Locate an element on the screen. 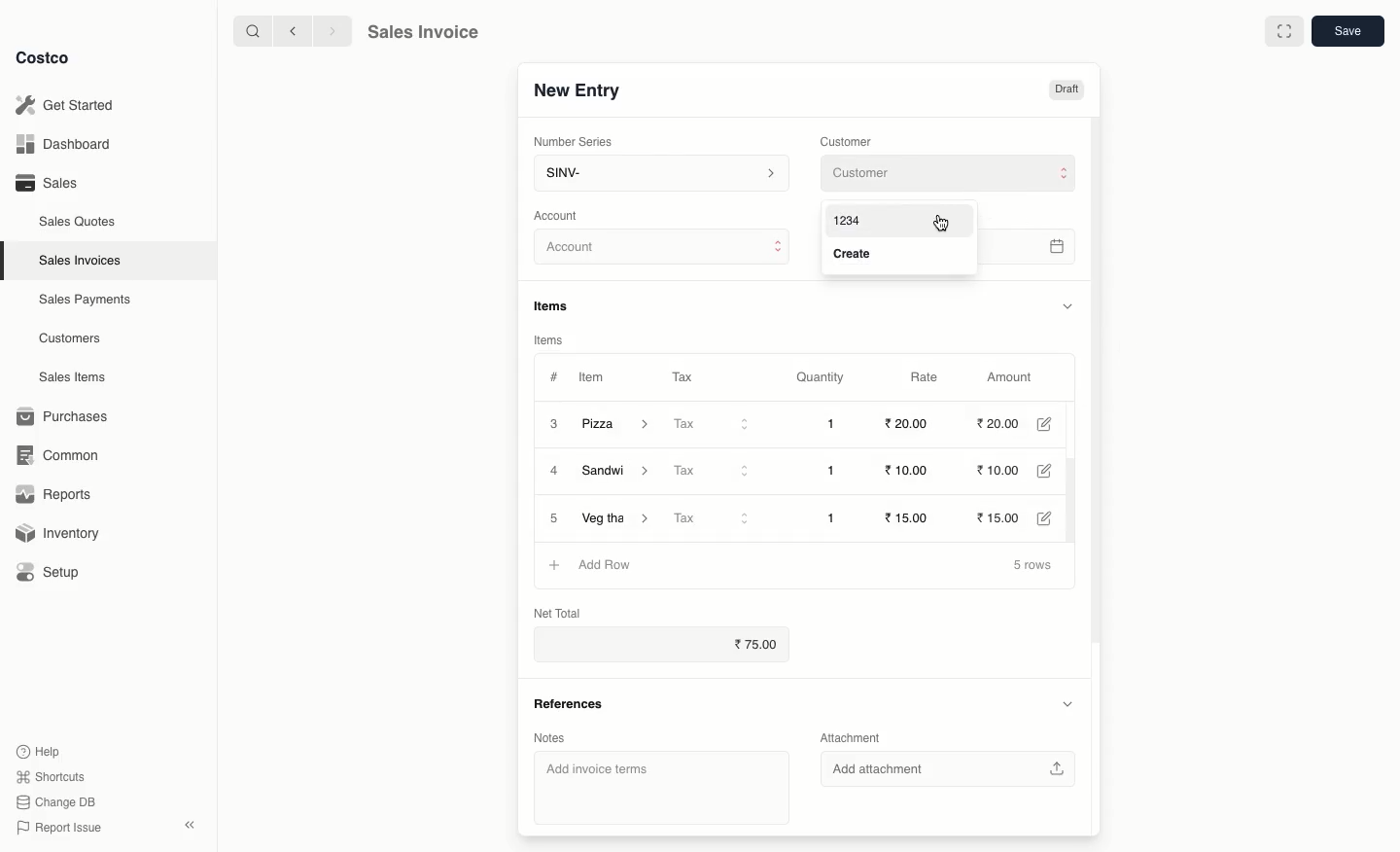  ‘Add attachment is located at coordinates (954, 770).